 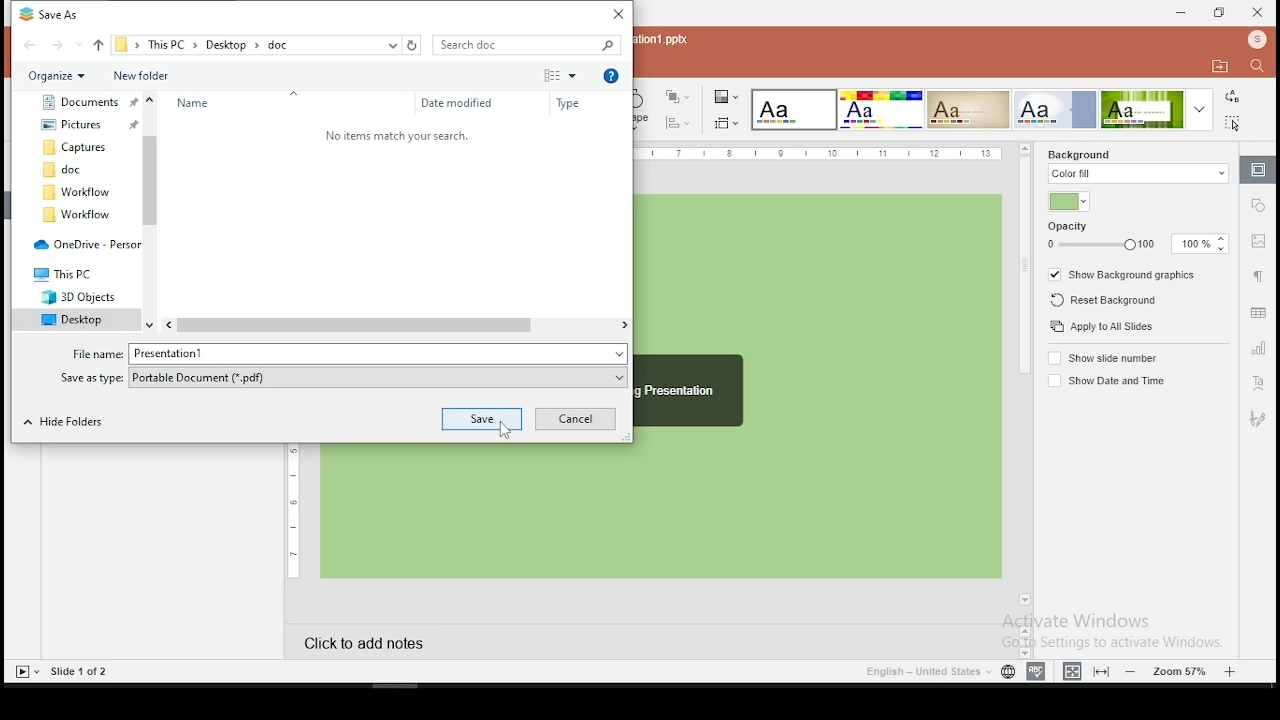 What do you see at coordinates (79, 146) in the screenshot?
I see `Captures` at bounding box center [79, 146].